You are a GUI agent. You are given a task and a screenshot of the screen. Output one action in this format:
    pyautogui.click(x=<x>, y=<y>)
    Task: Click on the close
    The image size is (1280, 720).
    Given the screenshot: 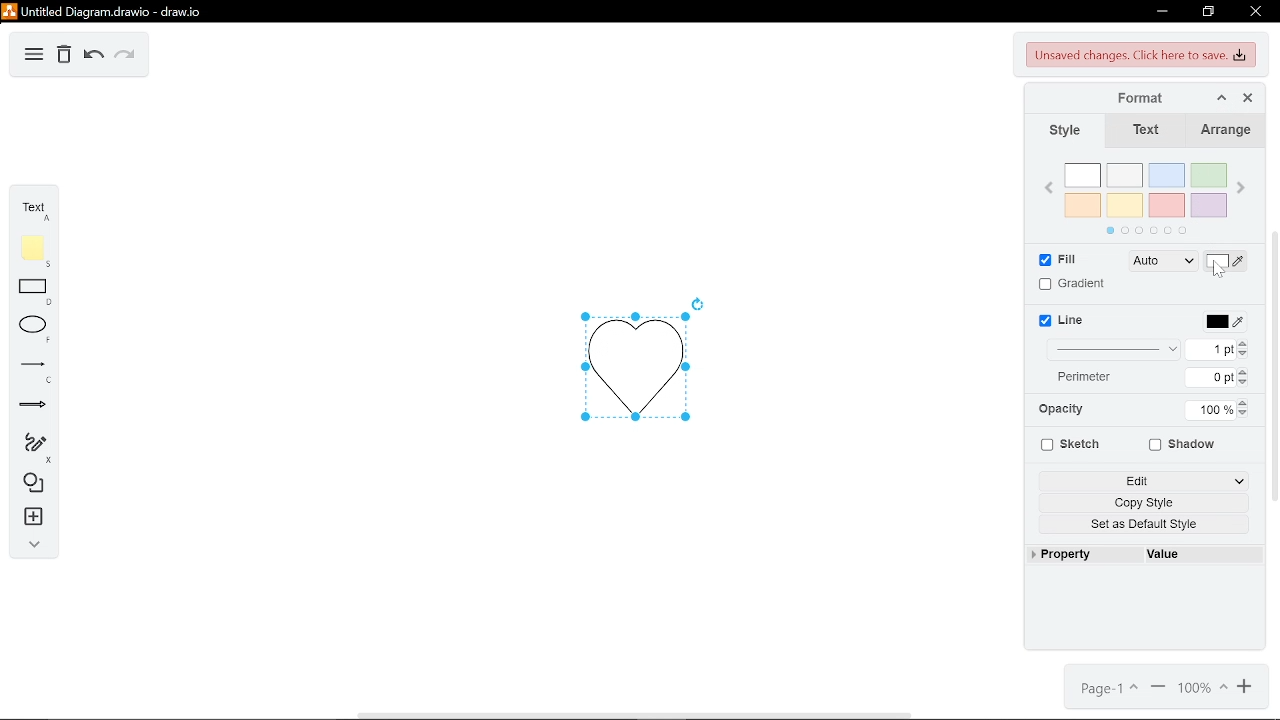 What is the action you would take?
    pyautogui.click(x=1250, y=98)
    